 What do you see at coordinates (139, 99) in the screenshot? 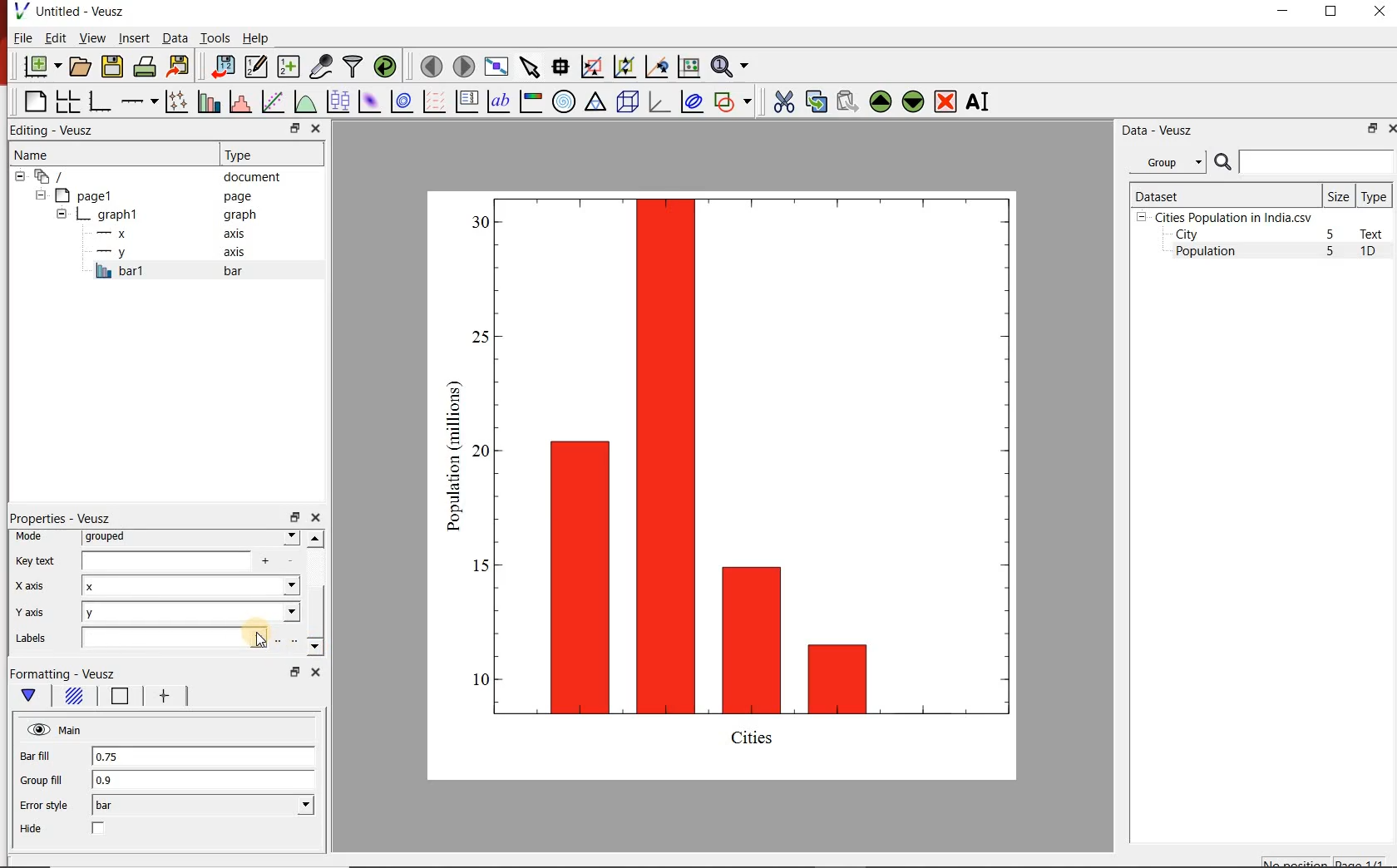
I see `Add an axis to the plot` at bounding box center [139, 99].